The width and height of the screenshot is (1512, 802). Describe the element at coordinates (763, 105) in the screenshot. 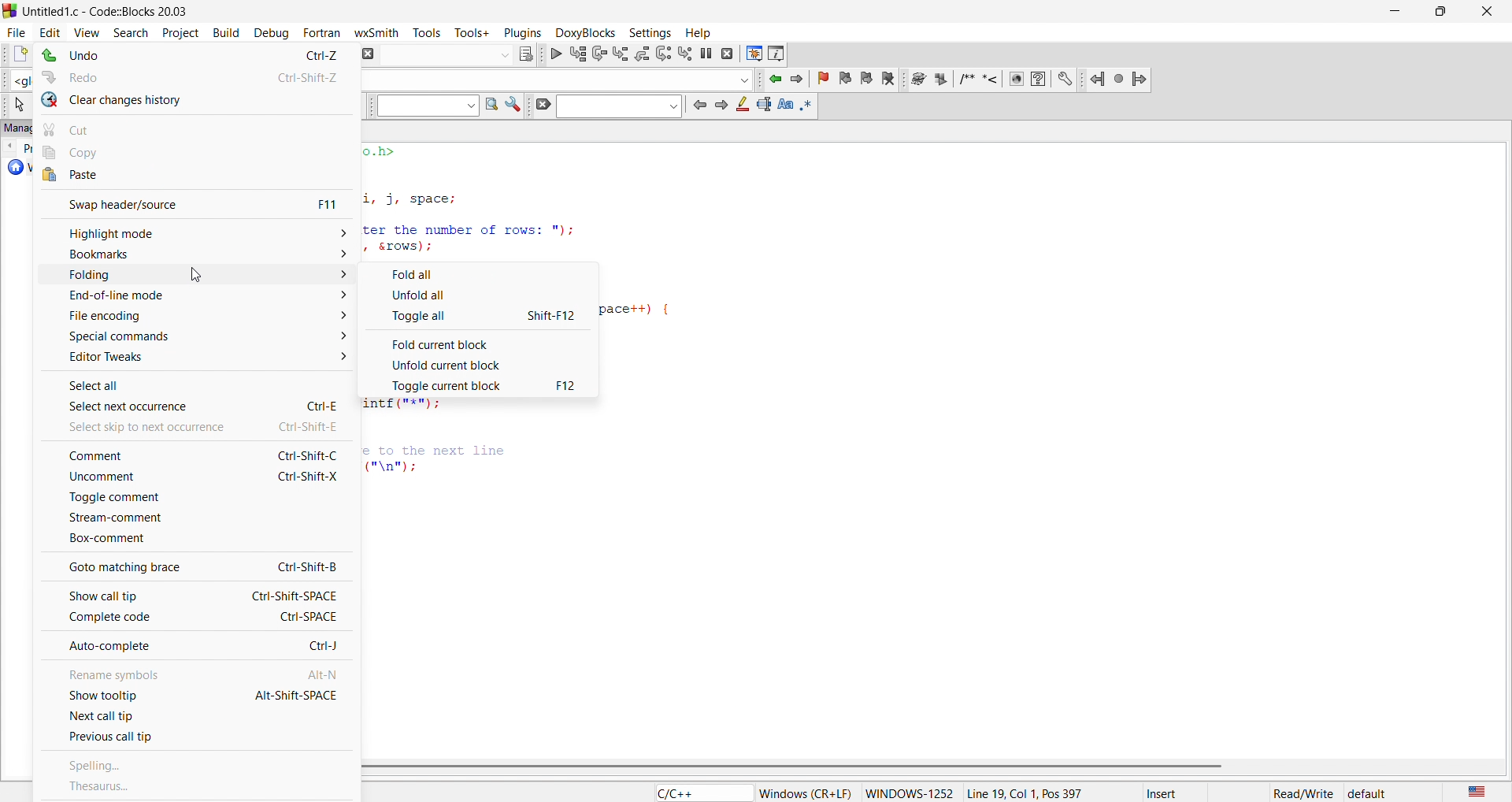

I see `selected text` at that location.